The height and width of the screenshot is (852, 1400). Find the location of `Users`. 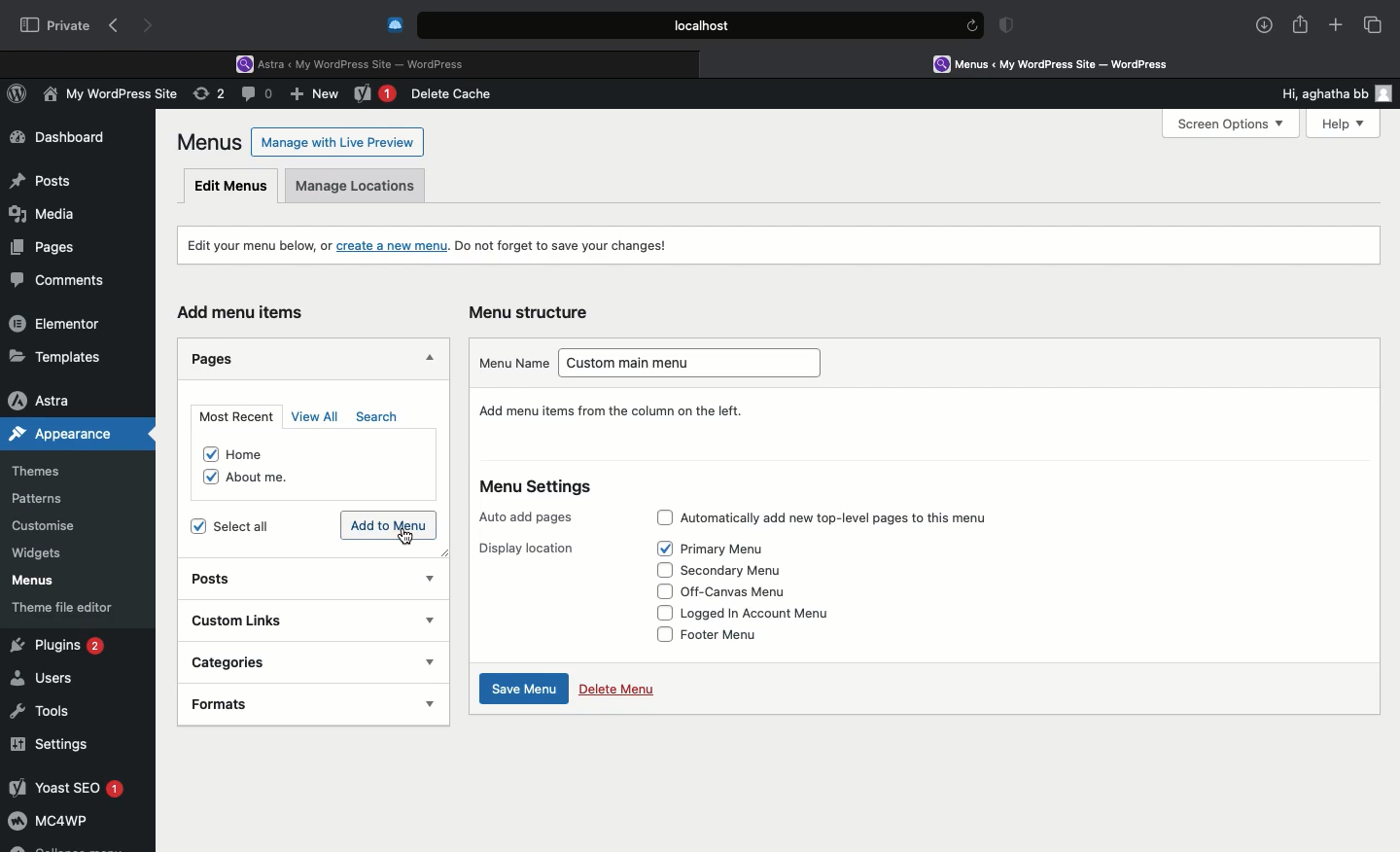

Users is located at coordinates (46, 679).